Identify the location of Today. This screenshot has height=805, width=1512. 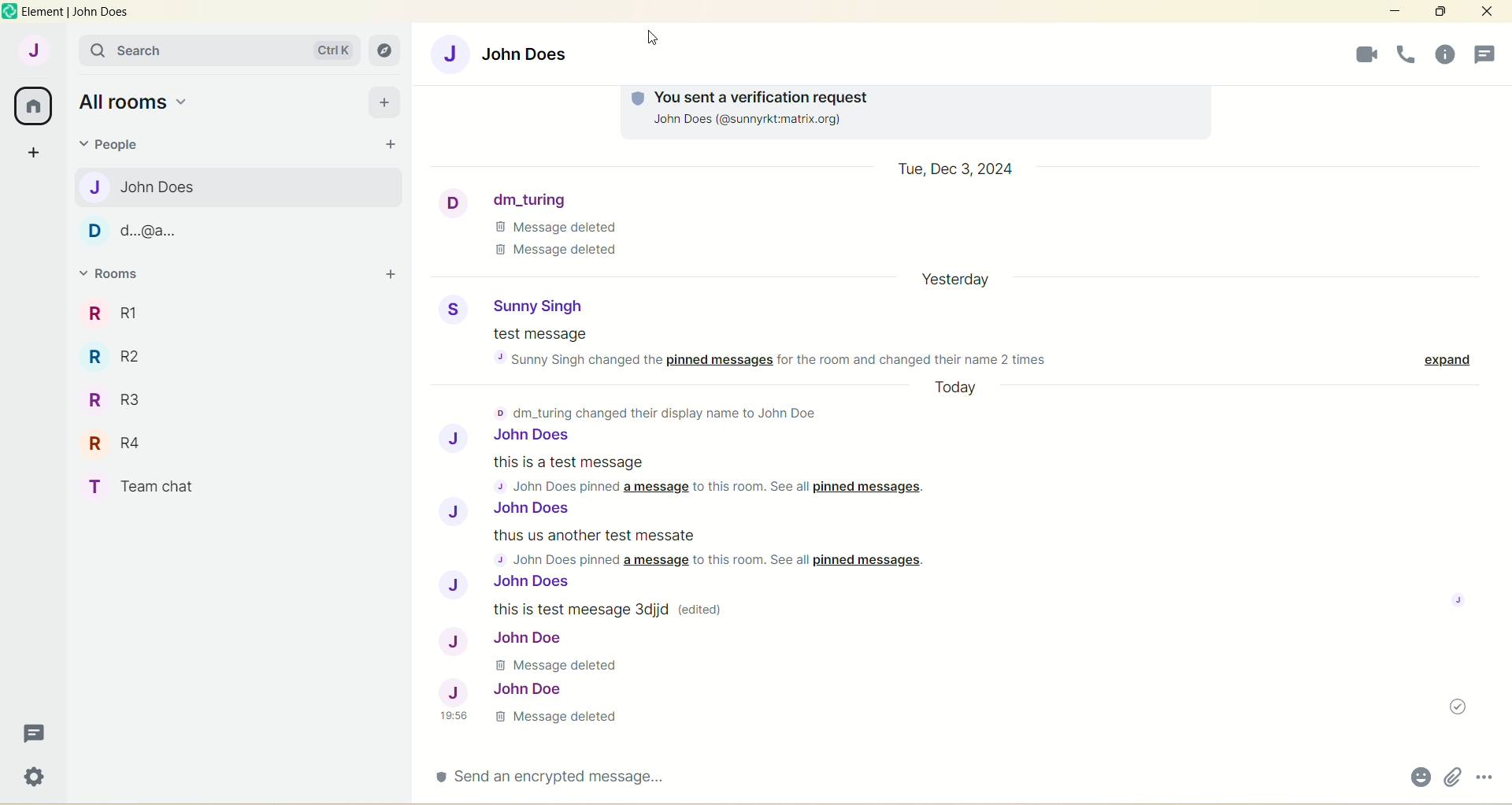
(963, 389).